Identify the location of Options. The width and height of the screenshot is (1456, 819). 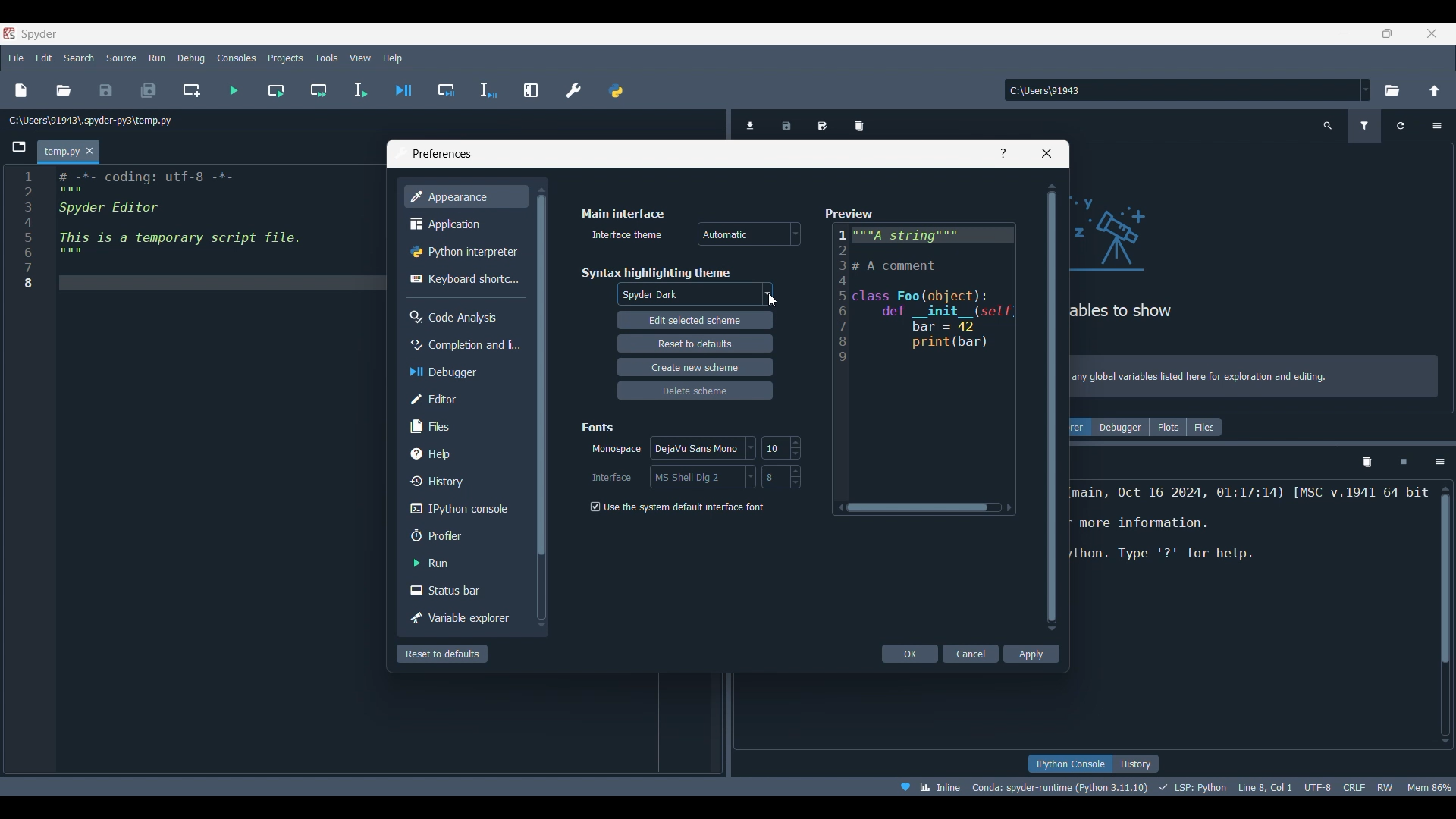
(1440, 462).